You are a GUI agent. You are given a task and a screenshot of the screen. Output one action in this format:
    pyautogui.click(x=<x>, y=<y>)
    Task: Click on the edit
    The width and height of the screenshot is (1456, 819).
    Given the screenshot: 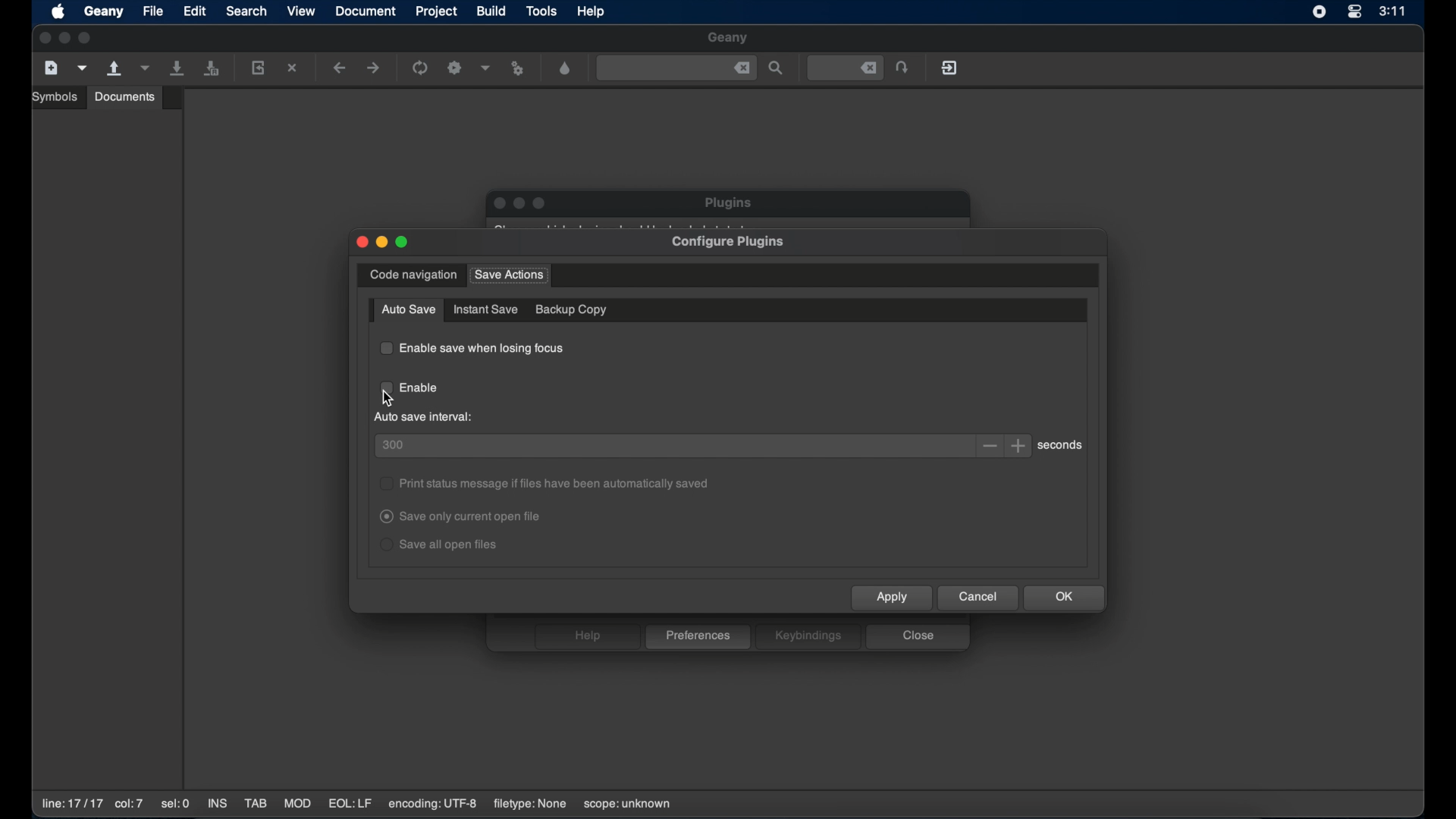 What is the action you would take?
    pyautogui.click(x=195, y=11)
    